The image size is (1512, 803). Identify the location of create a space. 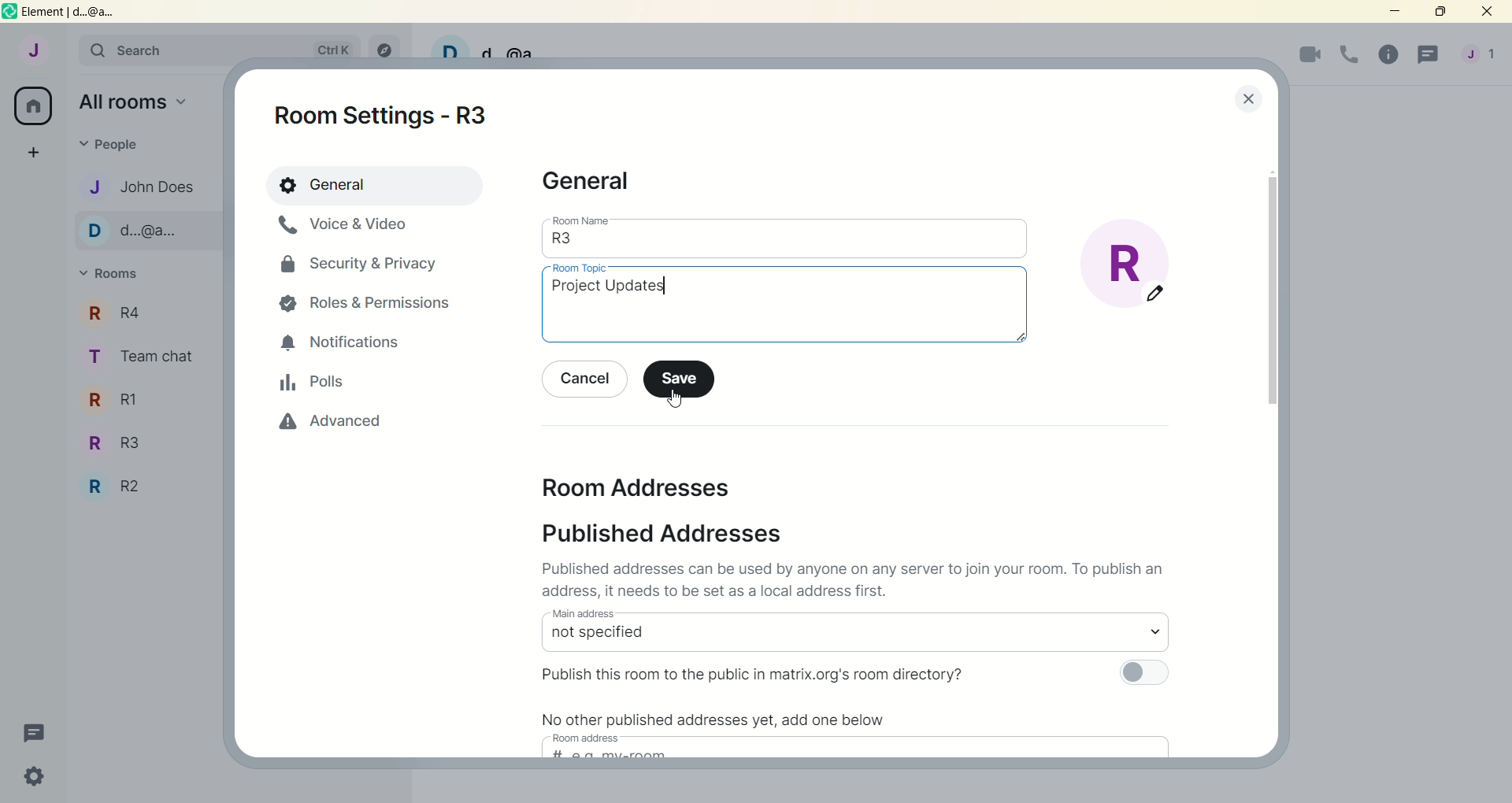
(31, 151).